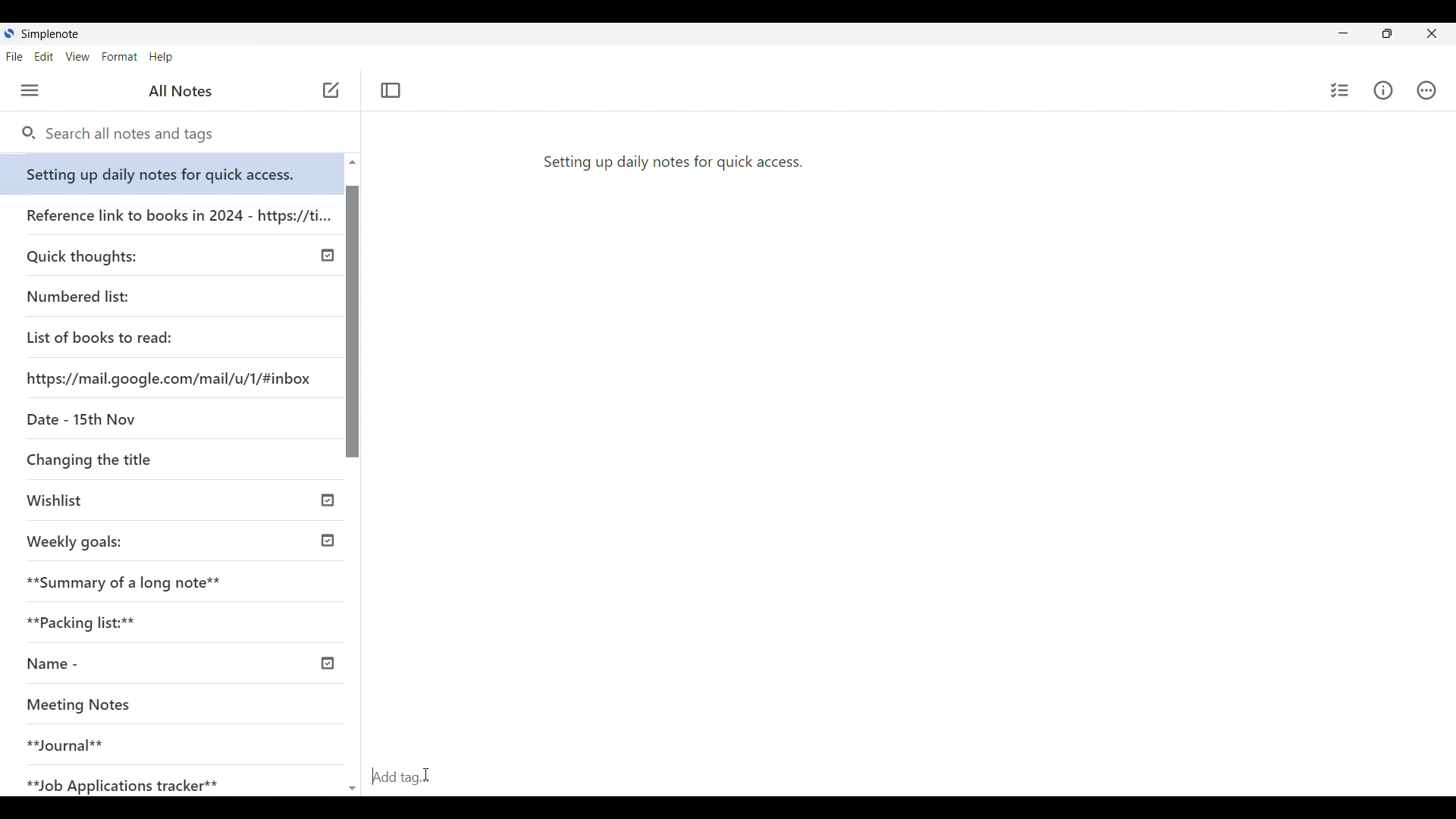 This screenshot has width=1456, height=819. I want to click on Minimize, so click(1343, 33).